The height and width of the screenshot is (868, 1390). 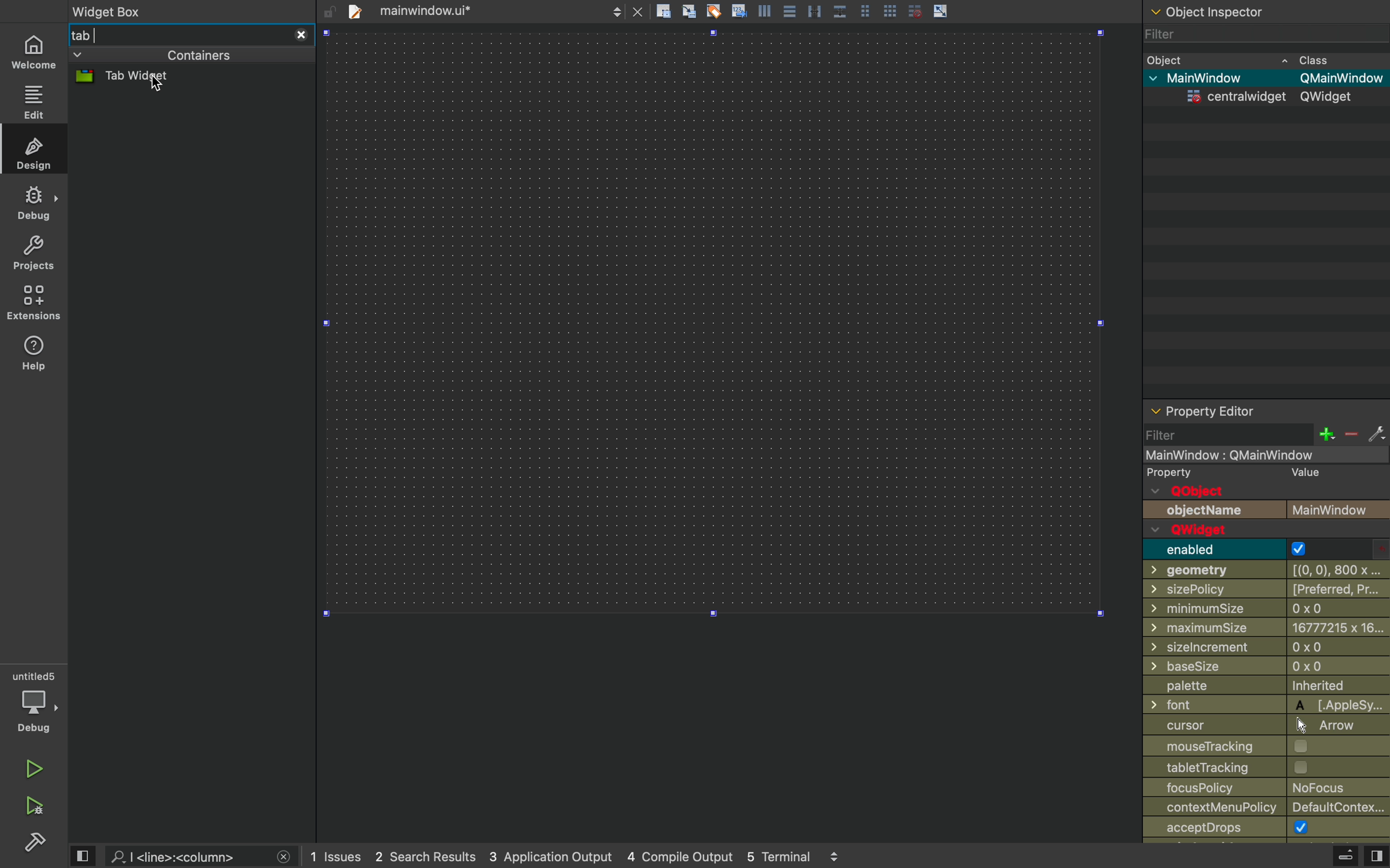 I want to click on grid view medium, so click(x=866, y=10).